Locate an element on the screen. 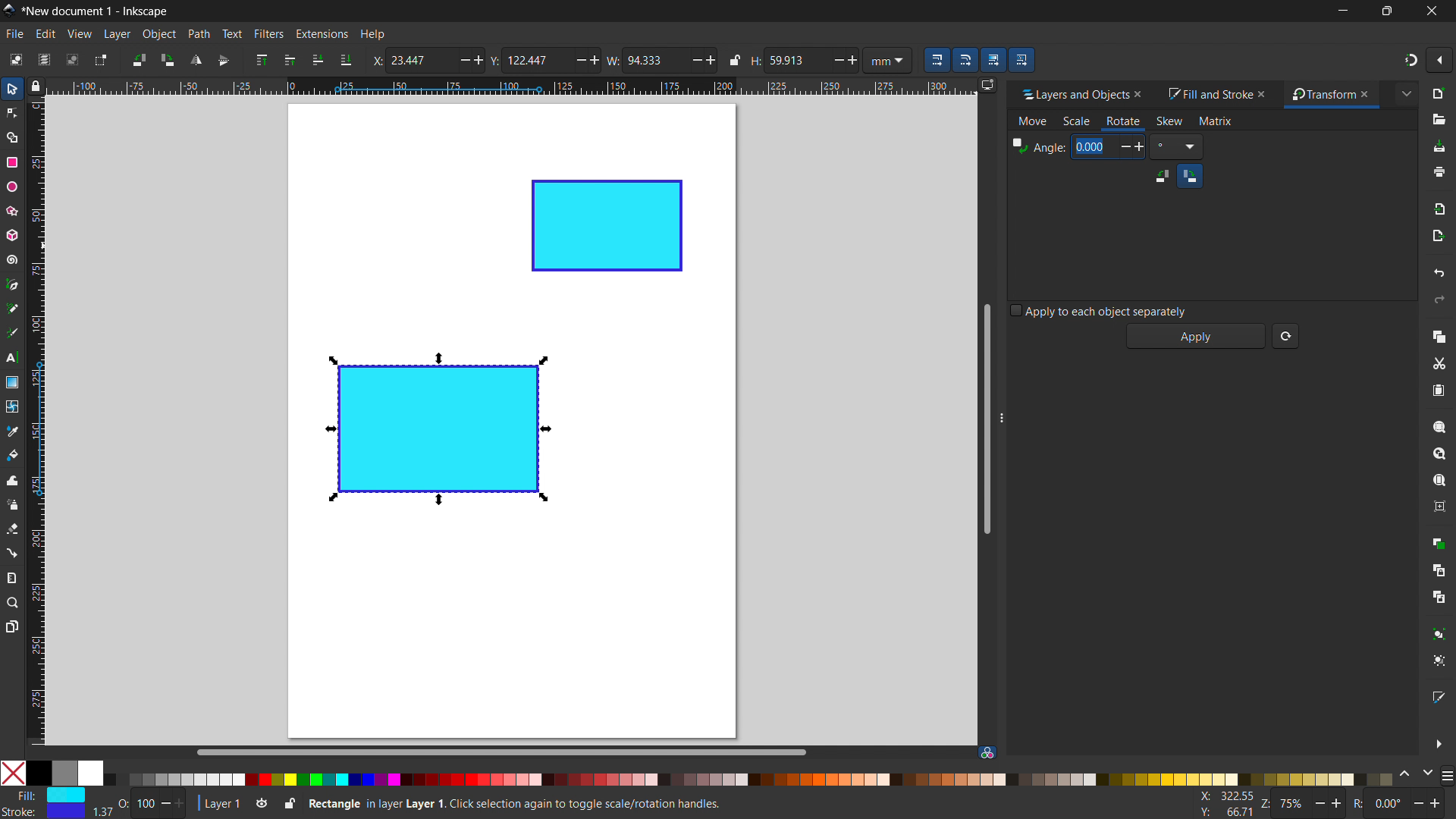 This screenshot has width=1456, height=819. deselect is located at coordinates (73, 59).